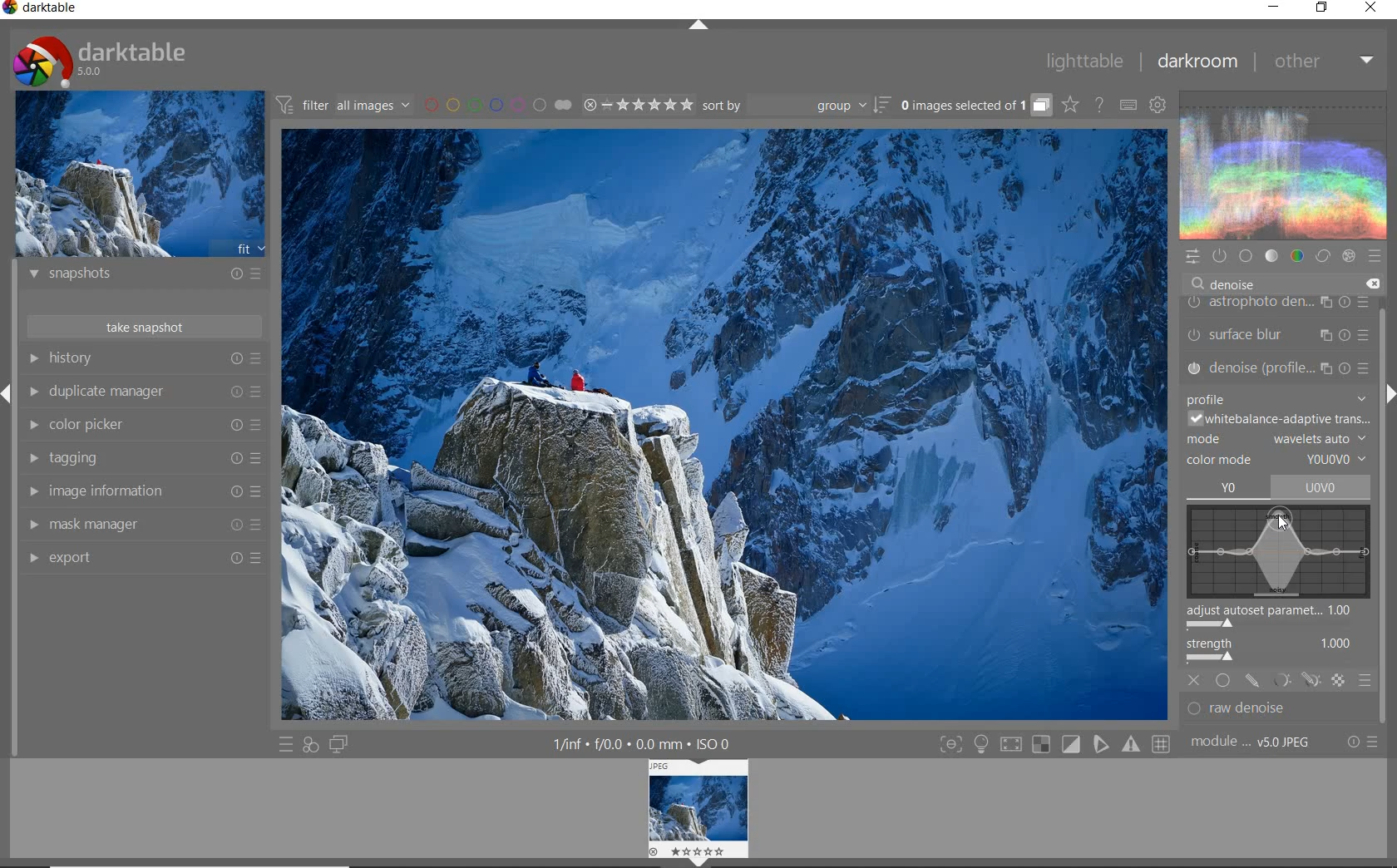  I want to click on grouped images, so click(975, 105).